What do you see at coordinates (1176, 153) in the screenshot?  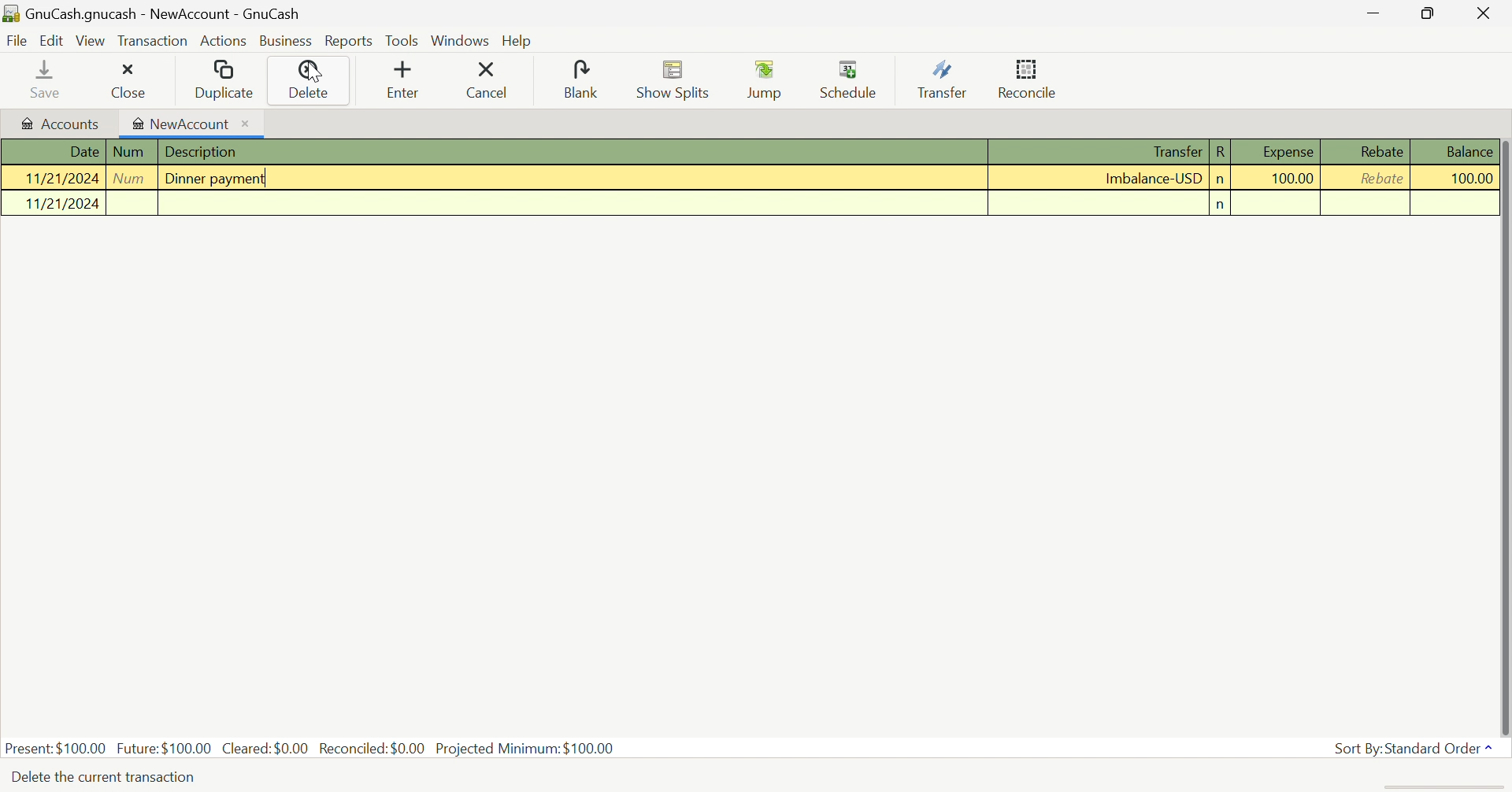 I see `Transfer` at bounding box center [1176, 153].